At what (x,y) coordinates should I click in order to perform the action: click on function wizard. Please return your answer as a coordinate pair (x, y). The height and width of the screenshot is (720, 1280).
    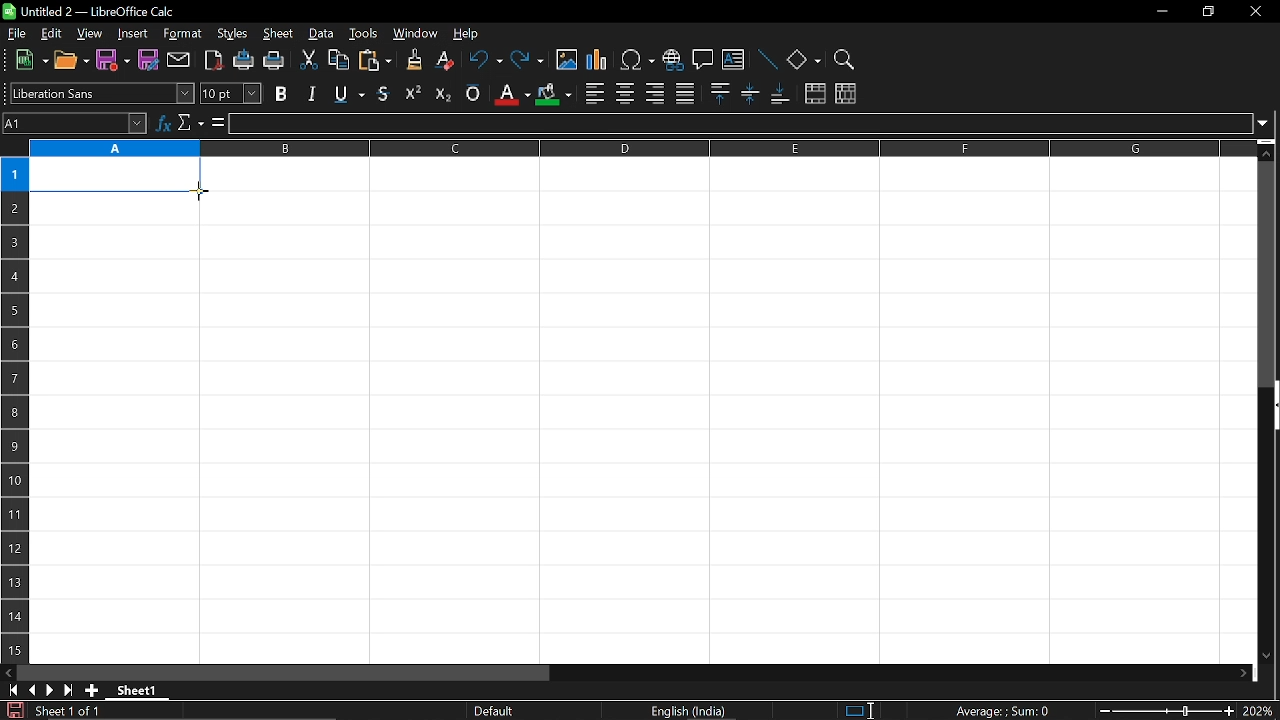
    Looking at the image, I should click on (163, 124).